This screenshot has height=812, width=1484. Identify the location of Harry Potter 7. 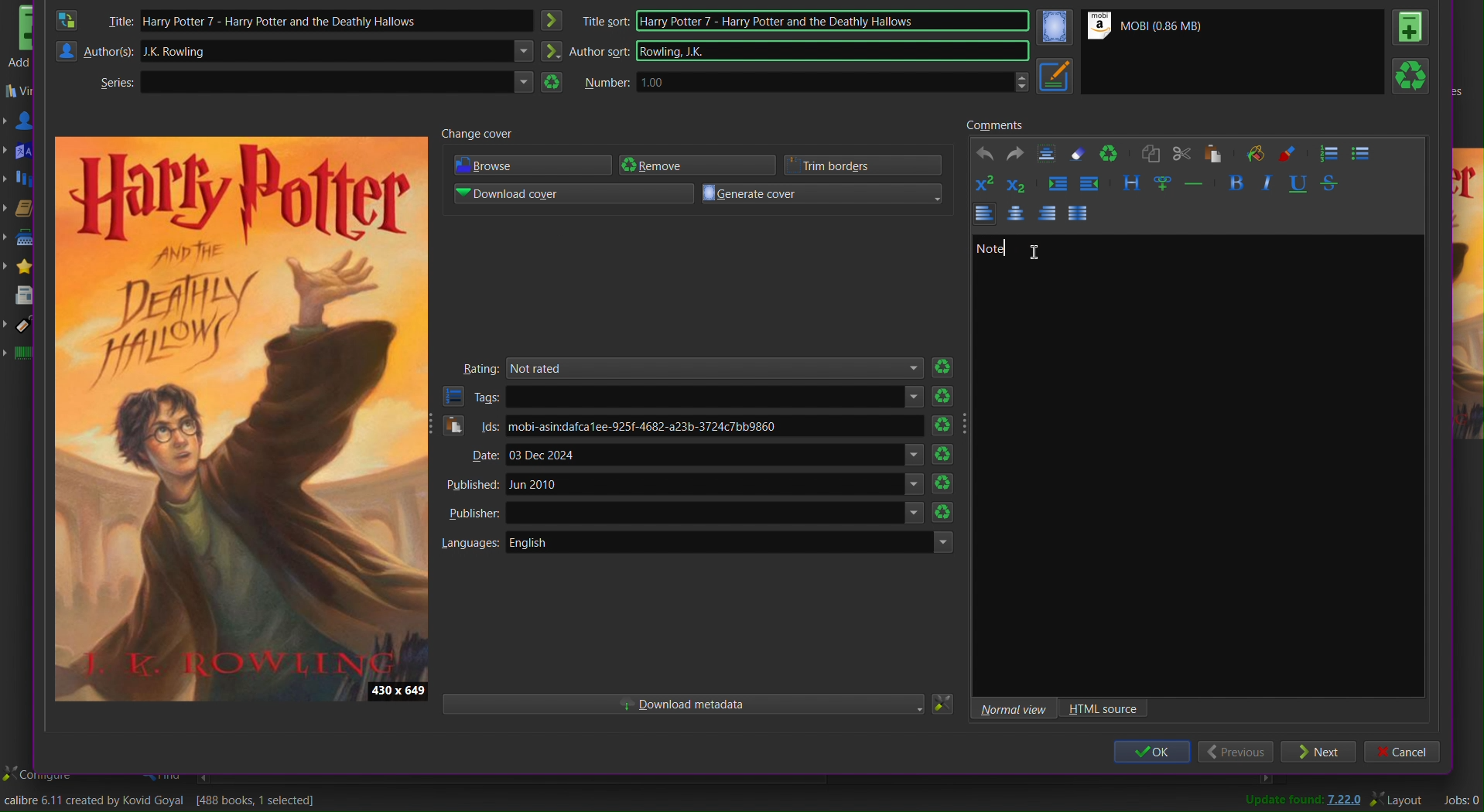
(353, 21).